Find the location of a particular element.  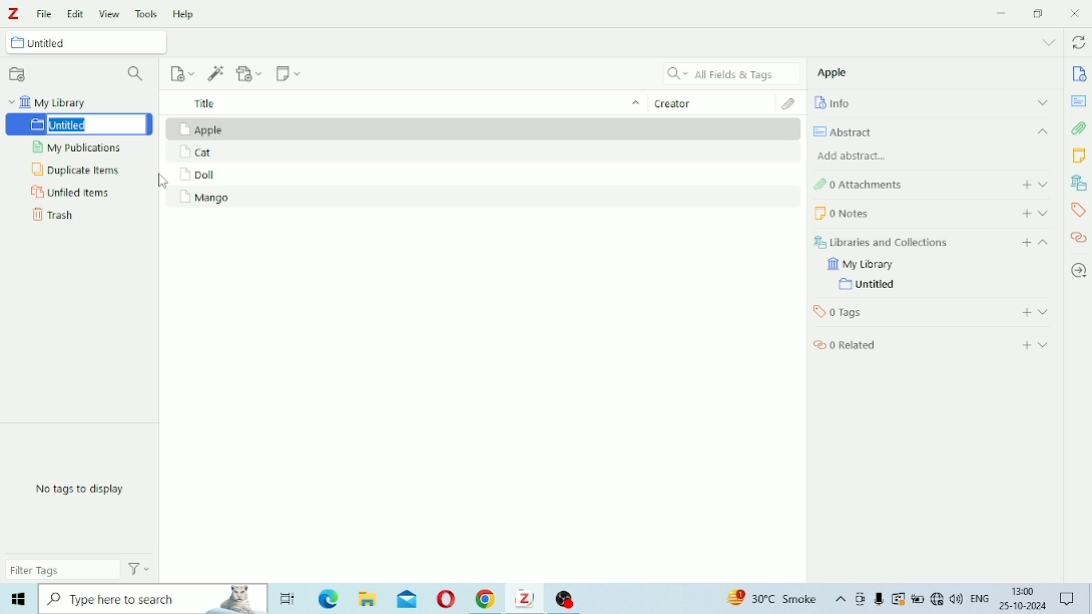

Filter Tags is located at coordinates (63, 571).